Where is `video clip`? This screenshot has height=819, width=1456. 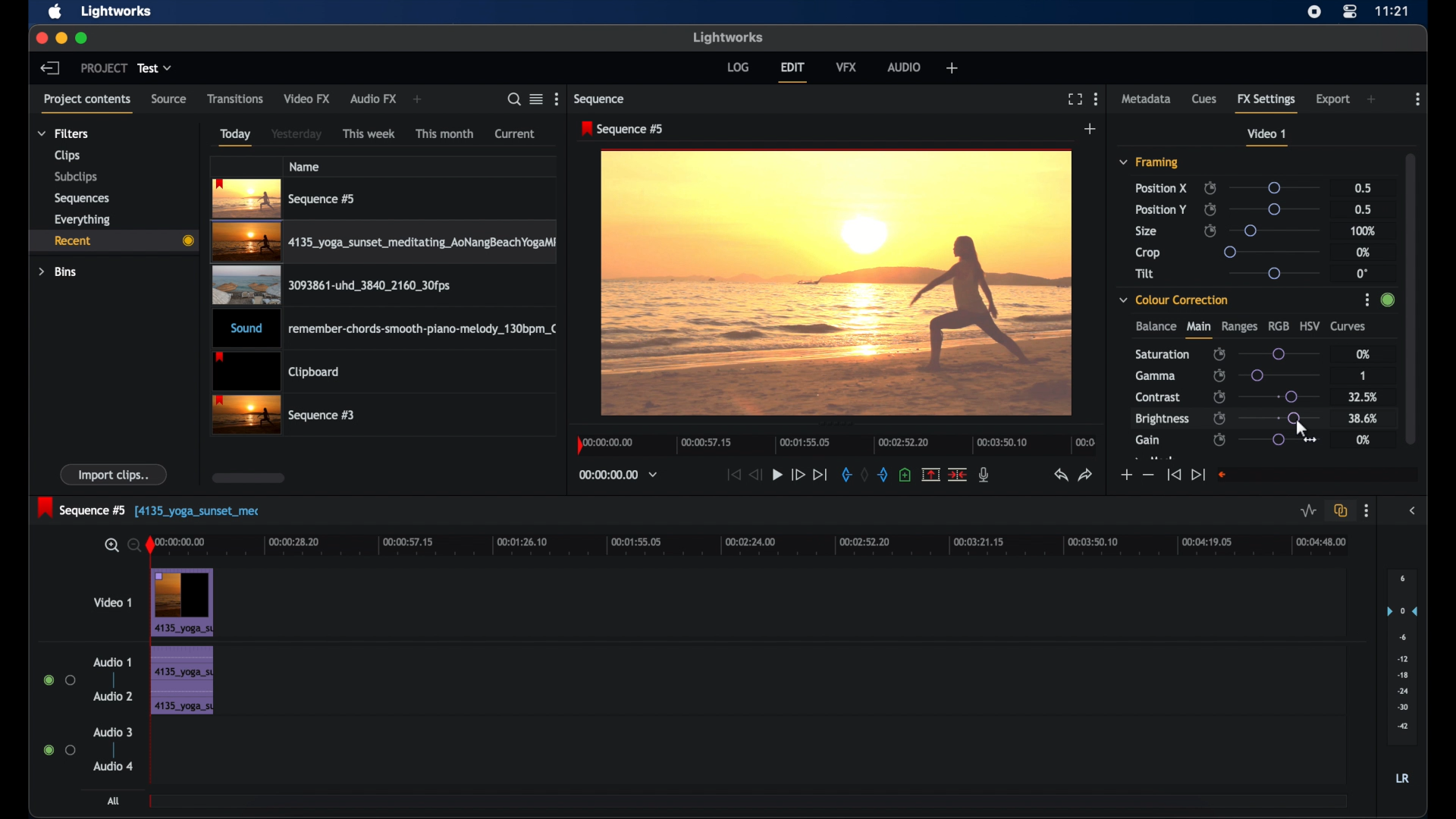 video clip is located at coordinates (329, 288).